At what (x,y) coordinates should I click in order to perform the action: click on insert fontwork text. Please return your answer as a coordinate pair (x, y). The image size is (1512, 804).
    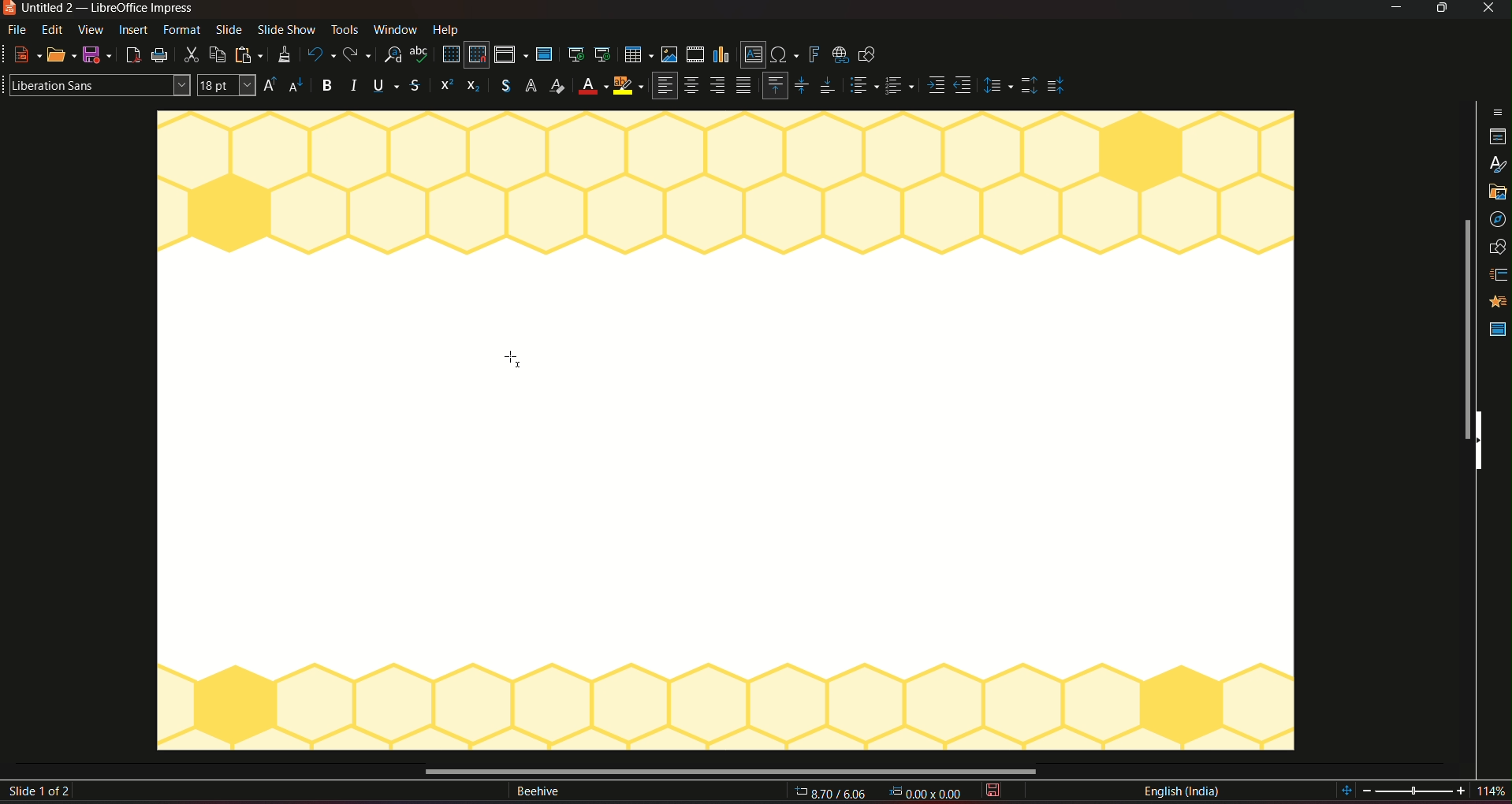
    Looking at the image, I should click on (814, 54).